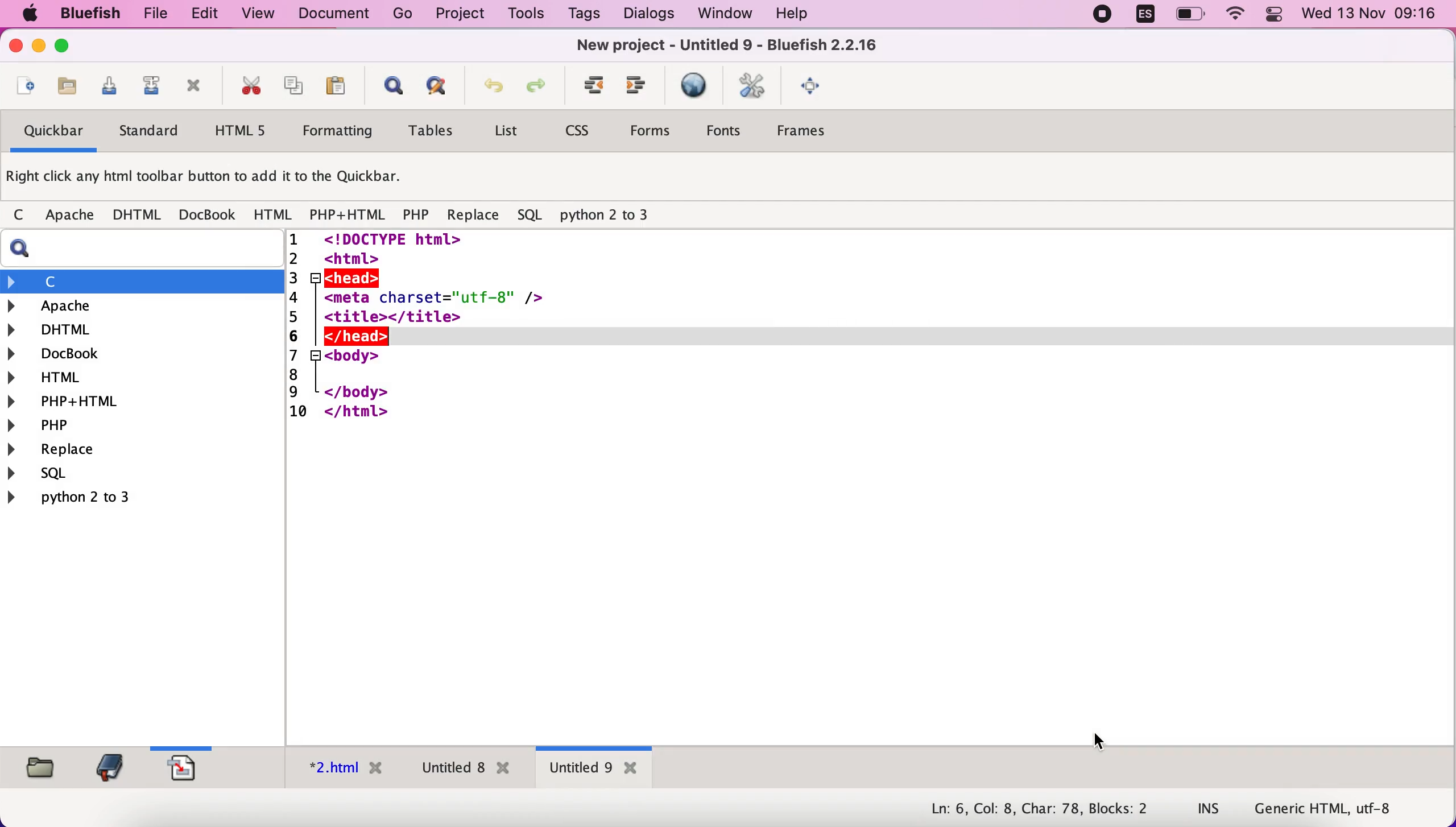 The height and width of the screenshot is (827, 1456). I want to click on battery, so click(1192, 15).